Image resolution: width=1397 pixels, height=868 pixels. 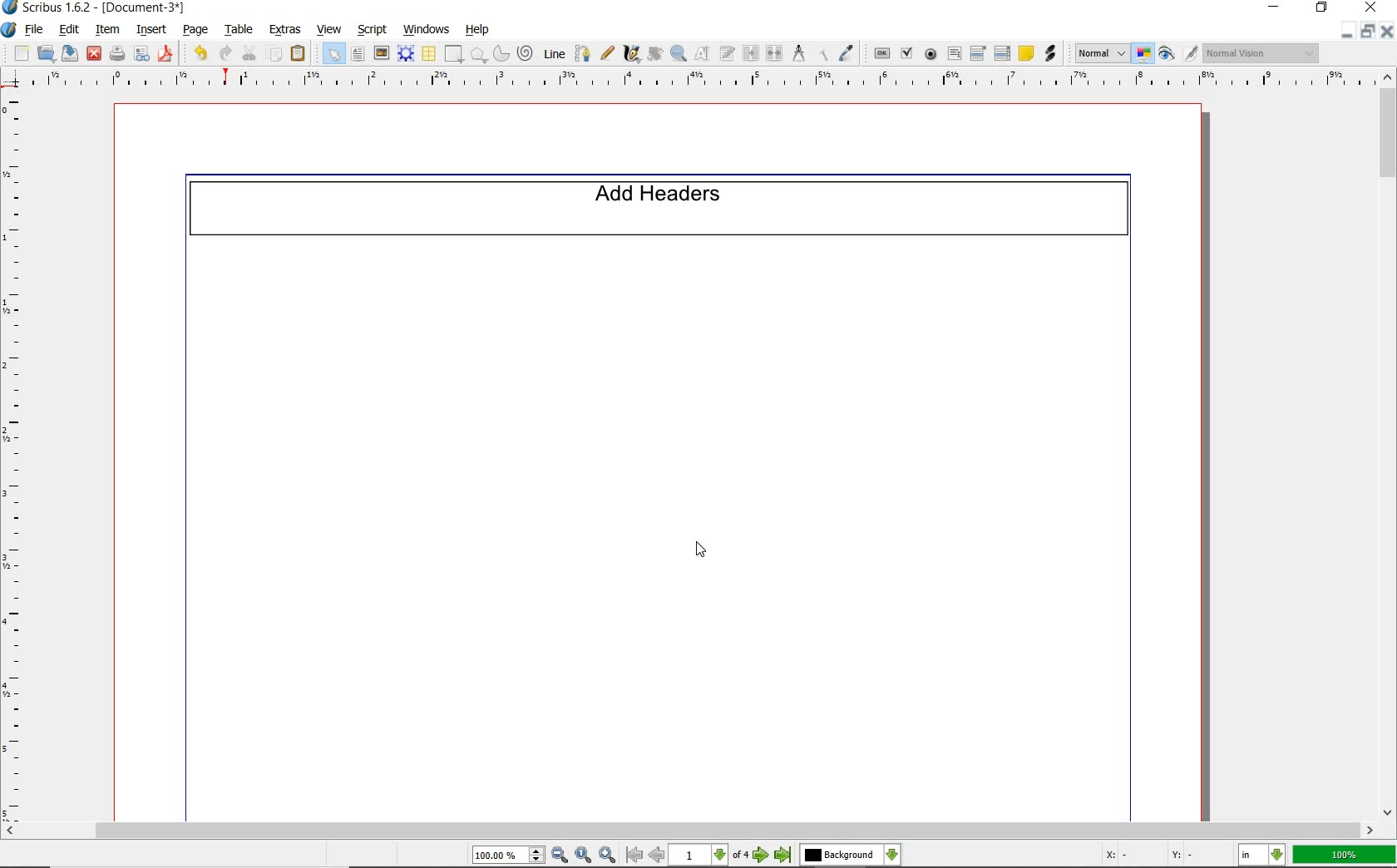 I want to click on arc, so click(x=503, y=54).